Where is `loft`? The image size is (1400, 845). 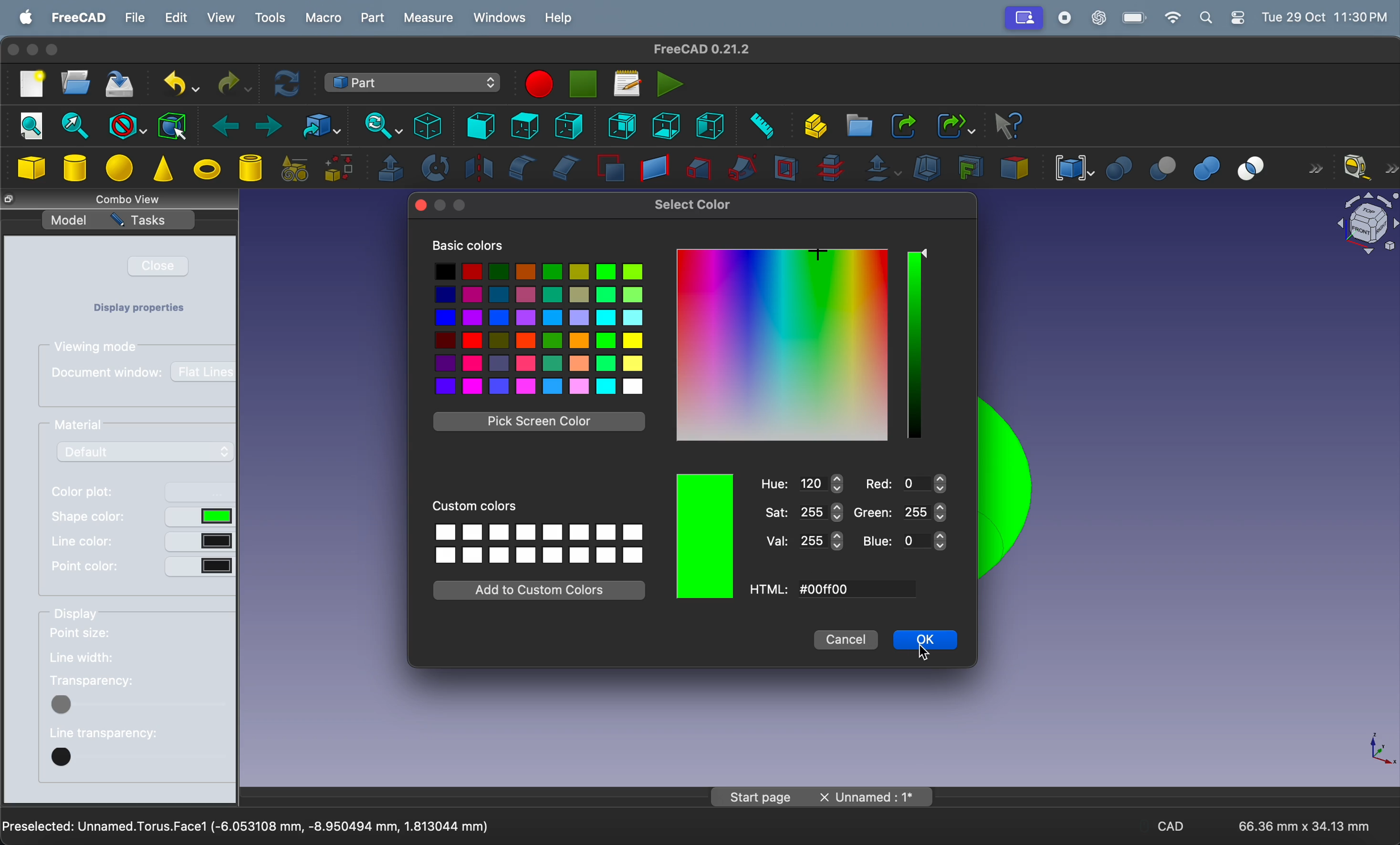 loft is located at coordinates (699, 166).